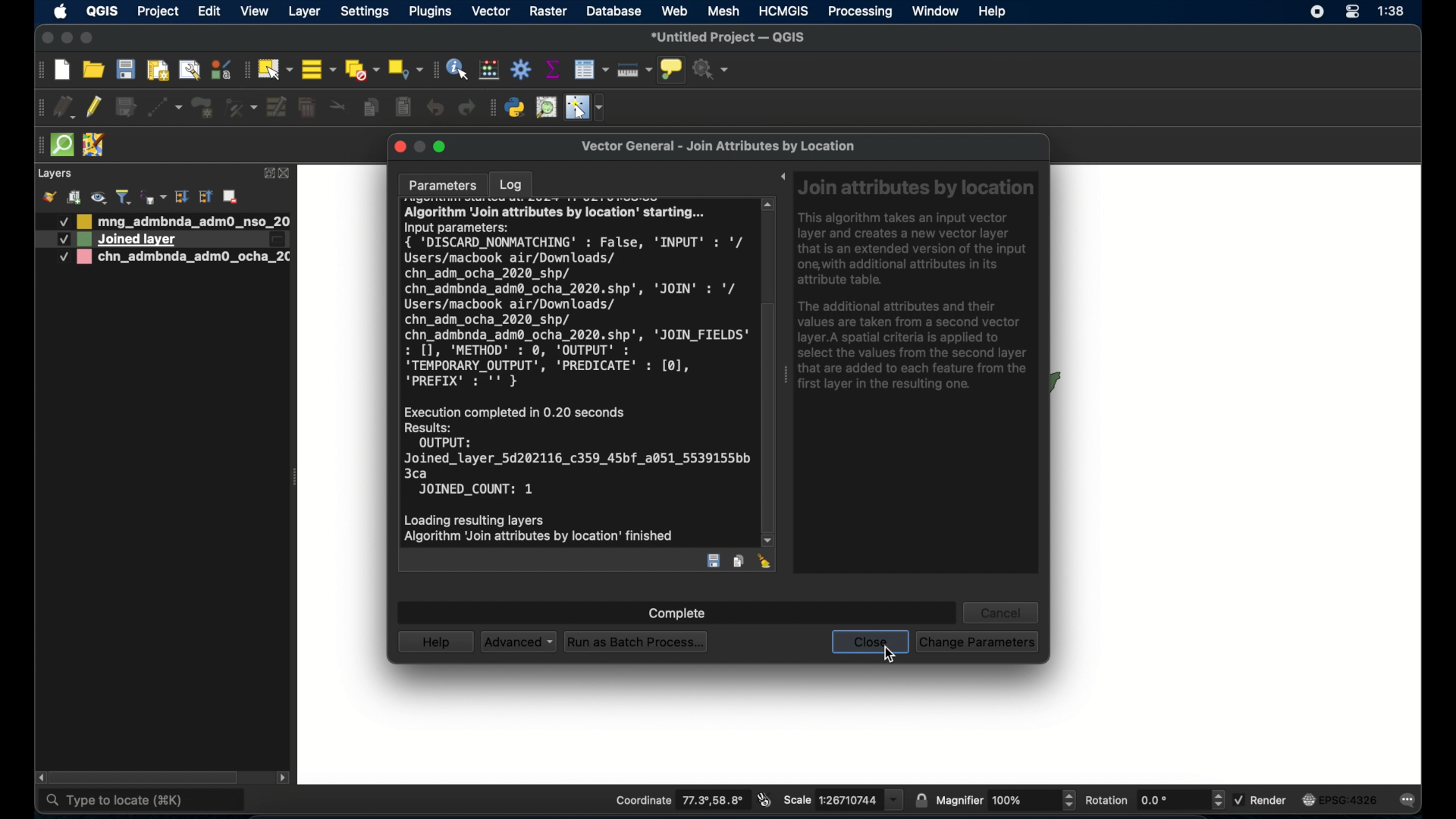  Describe the element at coordinates (47, 39) in the screenshot. I see `close` at that location.